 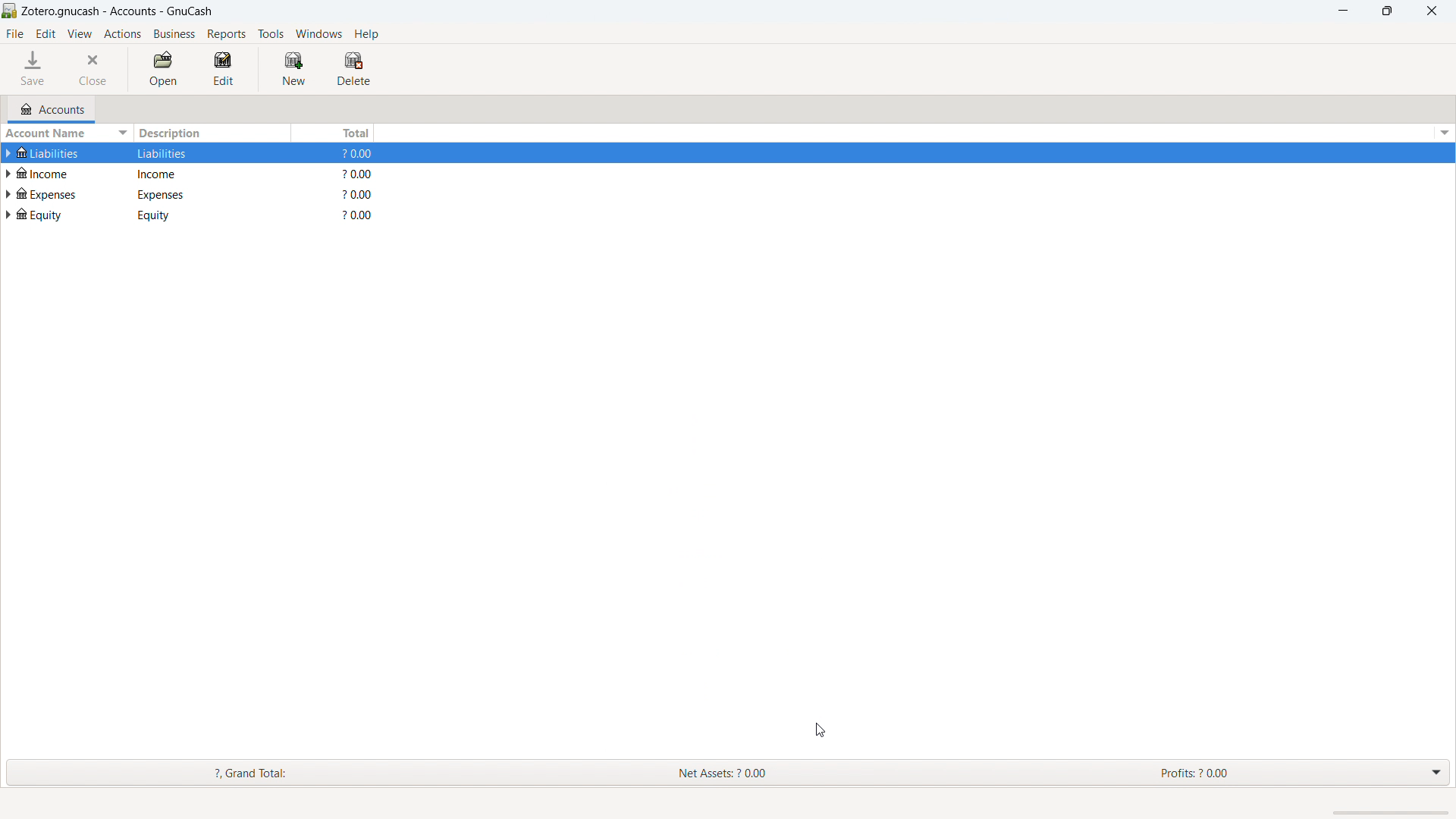 What do you see at coordinates (293, 68) in the screenshot?
I see `new` at bounding box center [293, 68].